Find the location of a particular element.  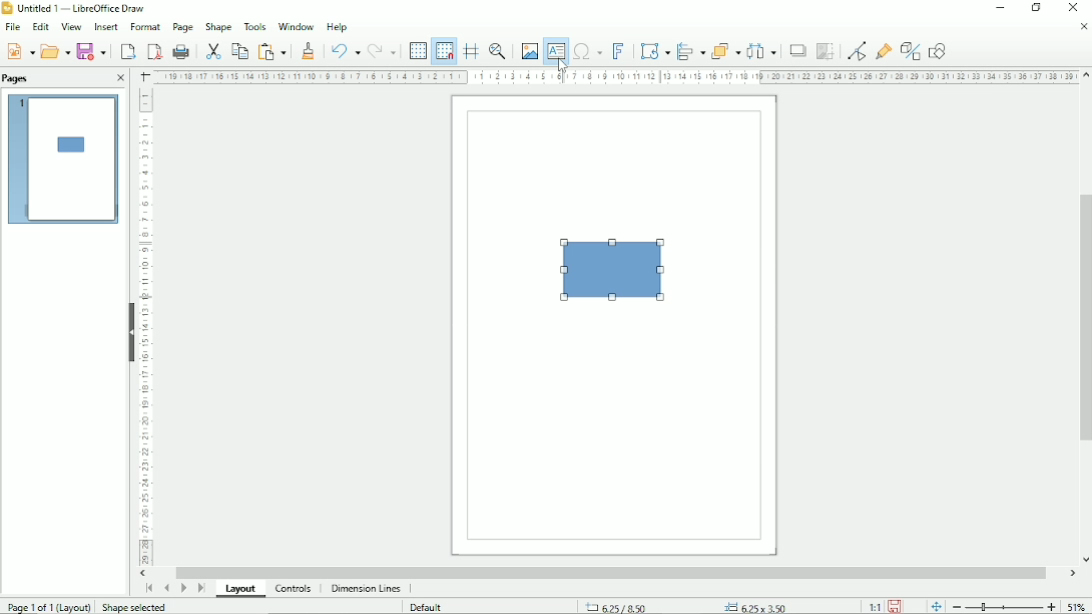

Scroll to next page is located at coordinates (183, 588).